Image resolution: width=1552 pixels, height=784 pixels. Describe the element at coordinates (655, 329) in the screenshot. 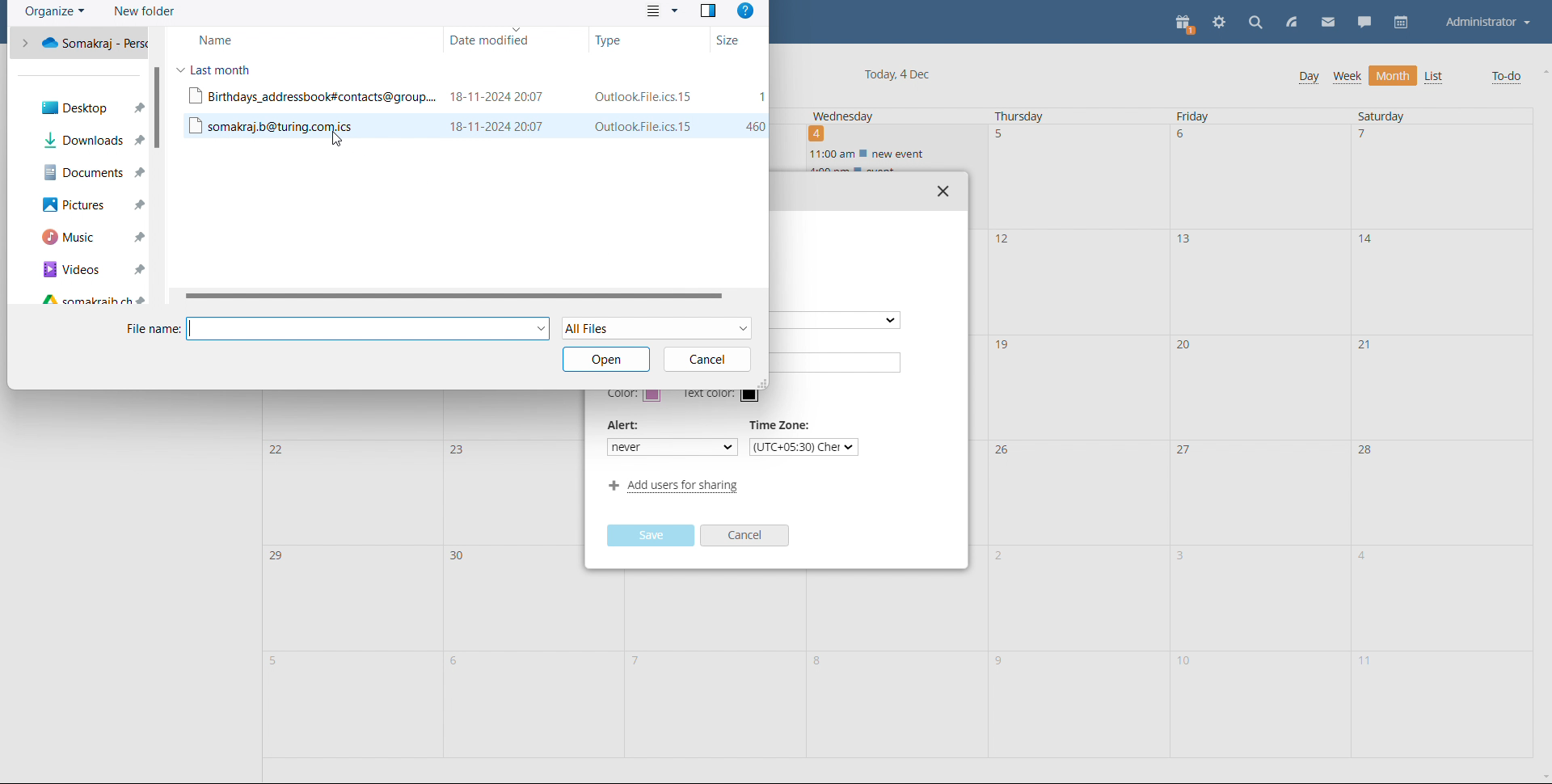

I see `select file type` at that location.